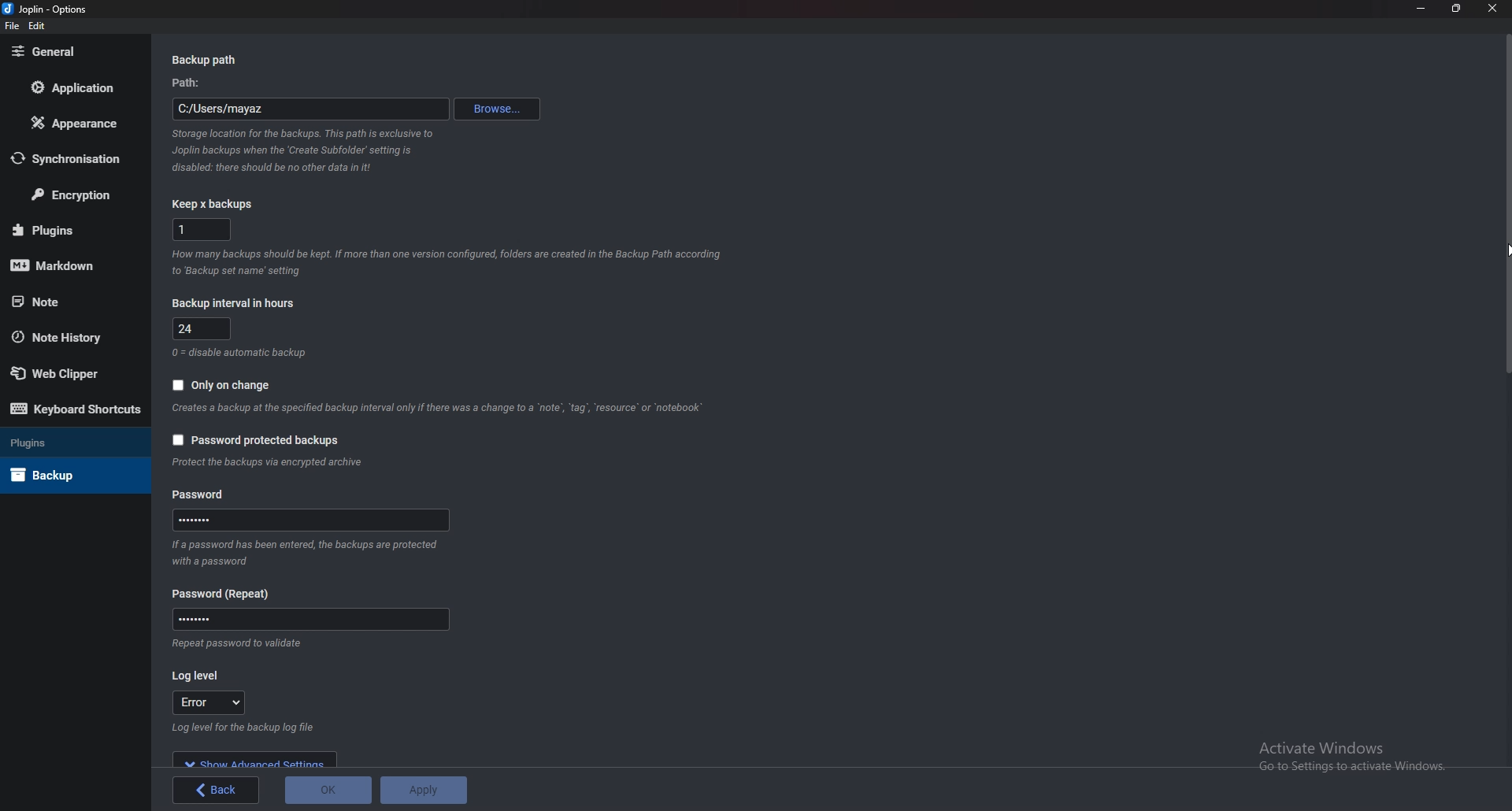 This screenshot has width=1512, height=811. I want to click on x, so click(200, 230).